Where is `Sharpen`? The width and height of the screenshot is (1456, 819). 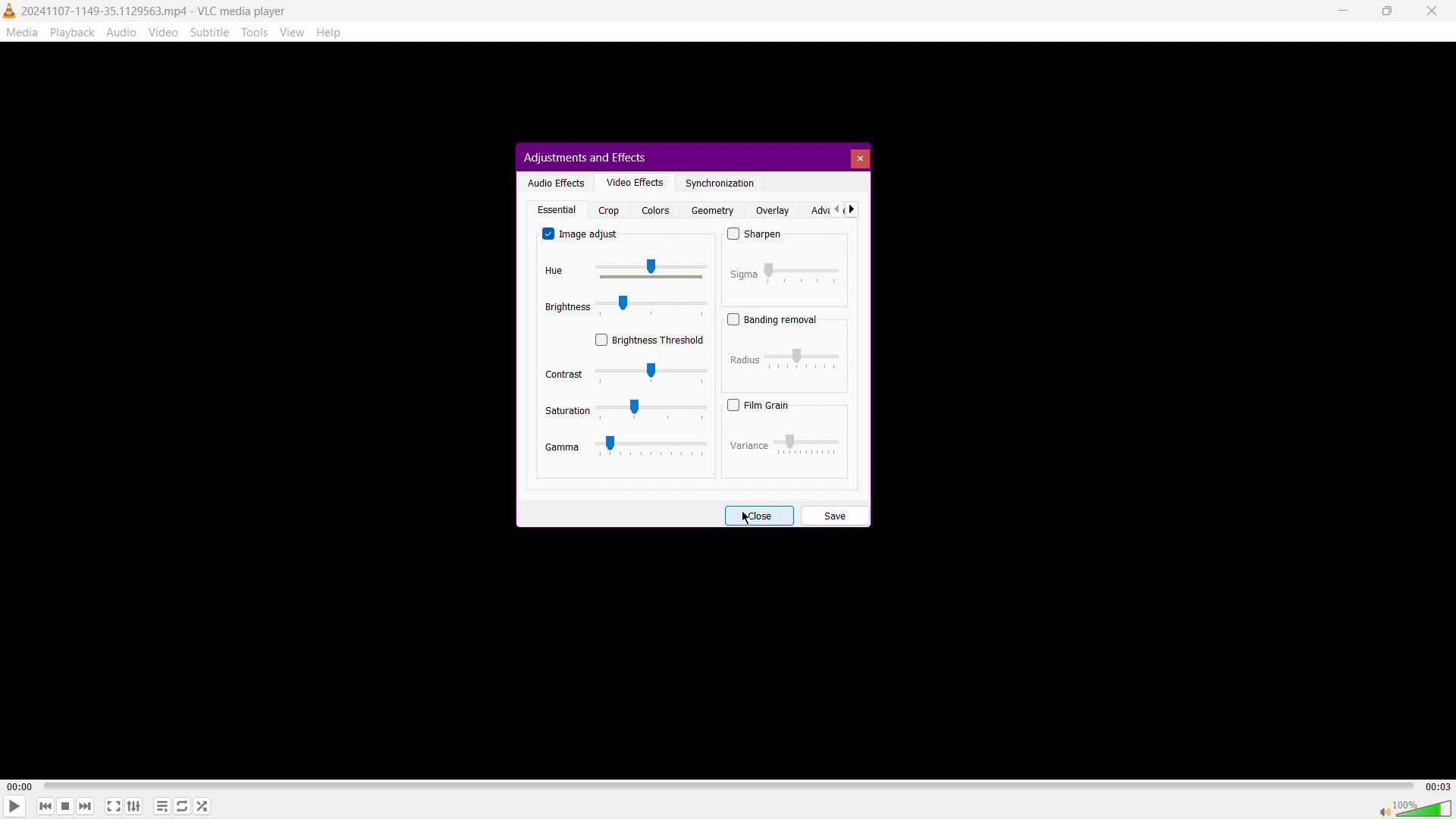
Sharpen is located at coordinates (755, 236).